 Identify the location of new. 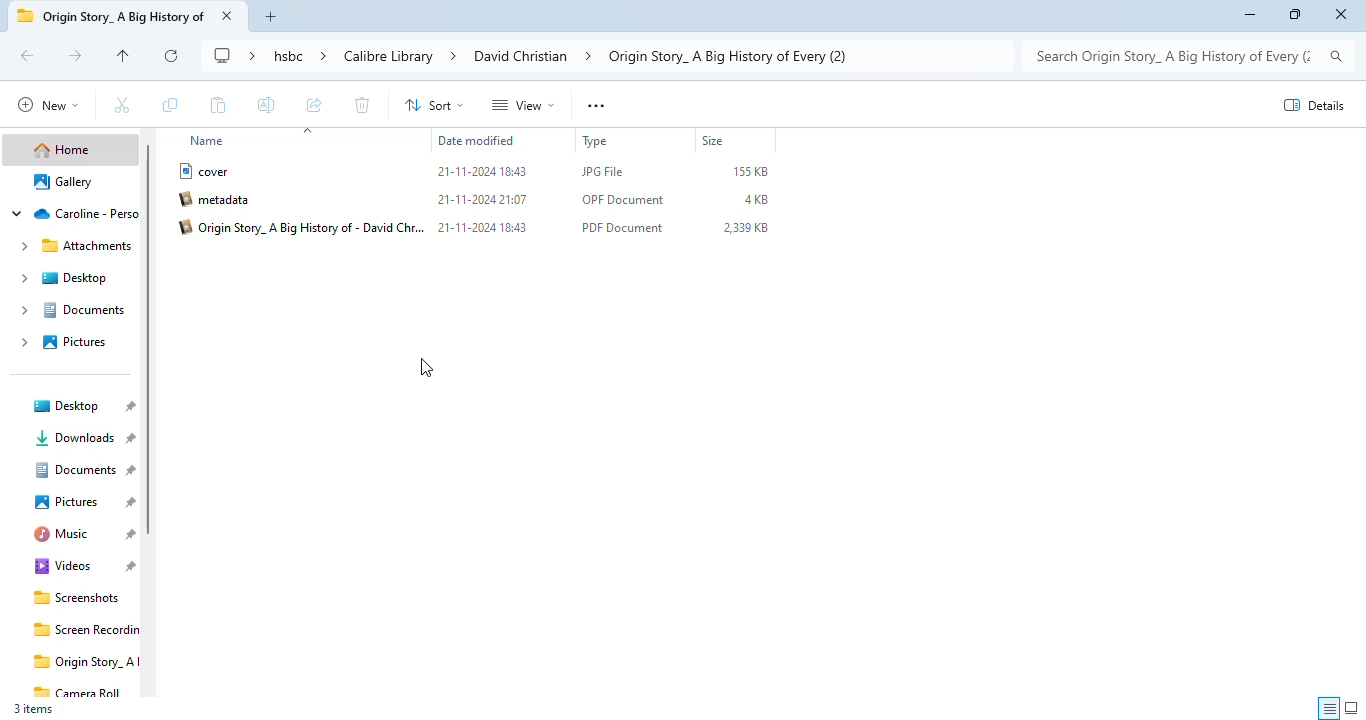
(47, 104).